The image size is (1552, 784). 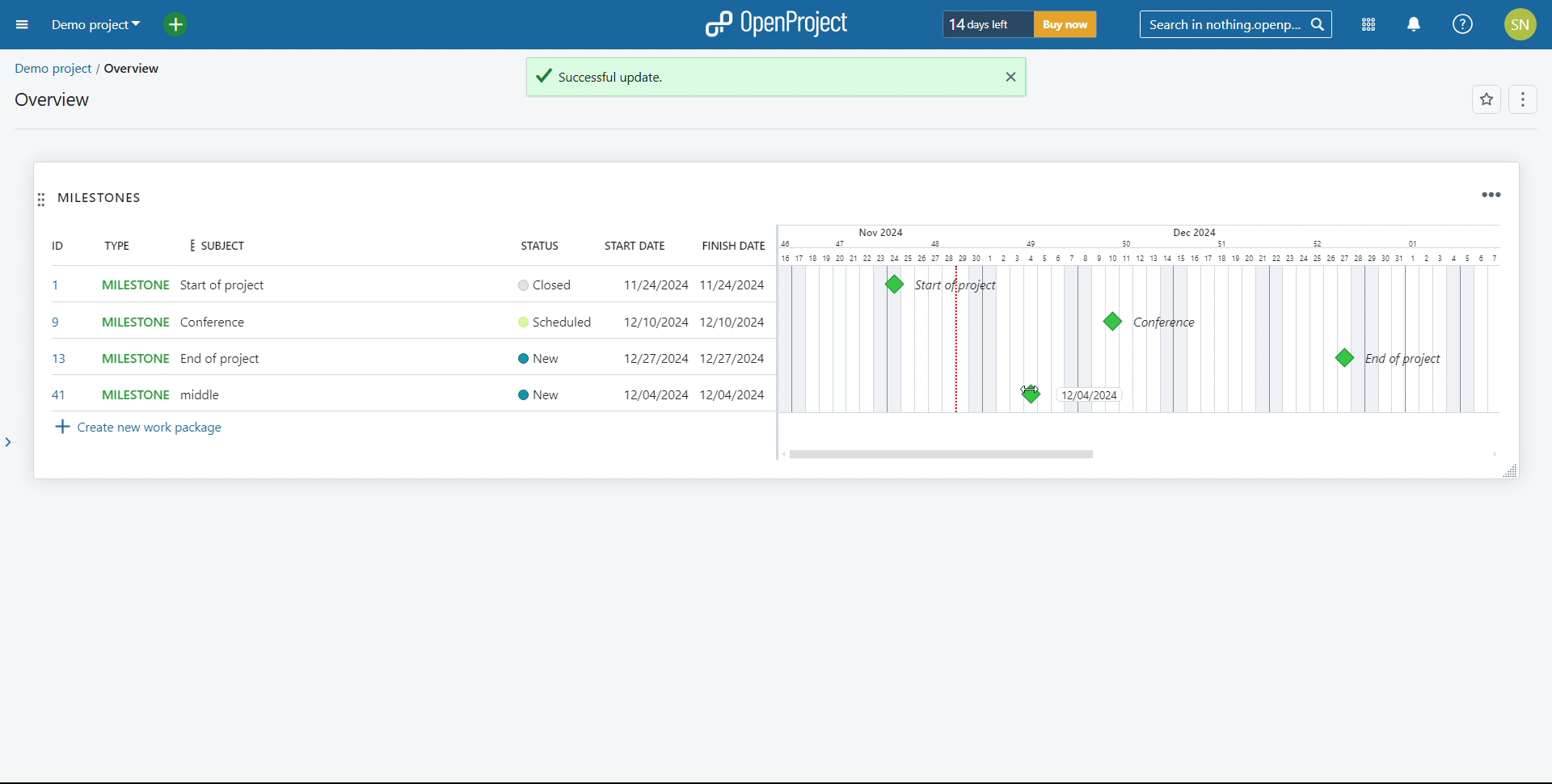 What do you see at coordinates (1343, 358) in the screenshot?
I see `milestone 13` at bounding box center [1343, 358].